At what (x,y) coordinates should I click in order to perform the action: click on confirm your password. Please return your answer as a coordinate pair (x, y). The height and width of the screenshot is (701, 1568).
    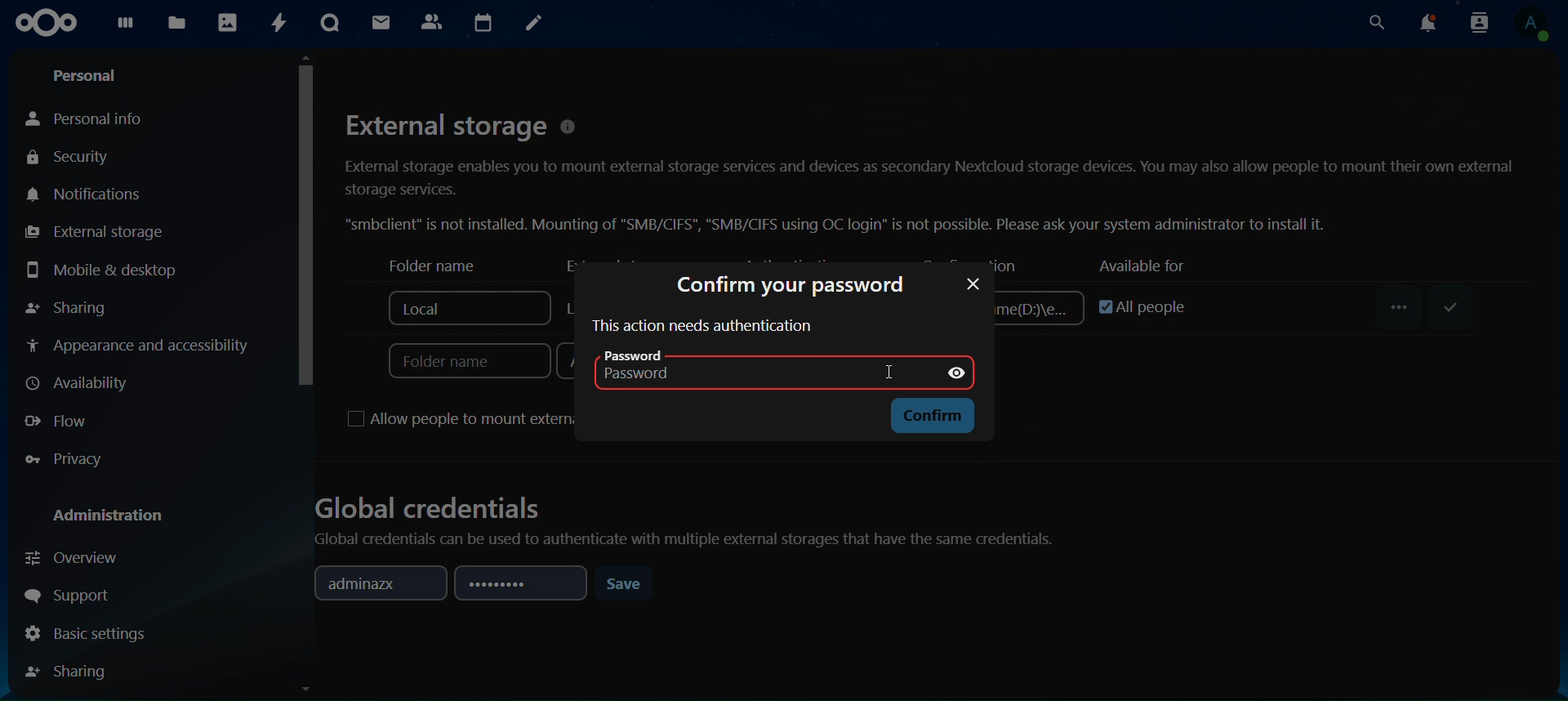
    Looking at the image, I should click on (790, 287).